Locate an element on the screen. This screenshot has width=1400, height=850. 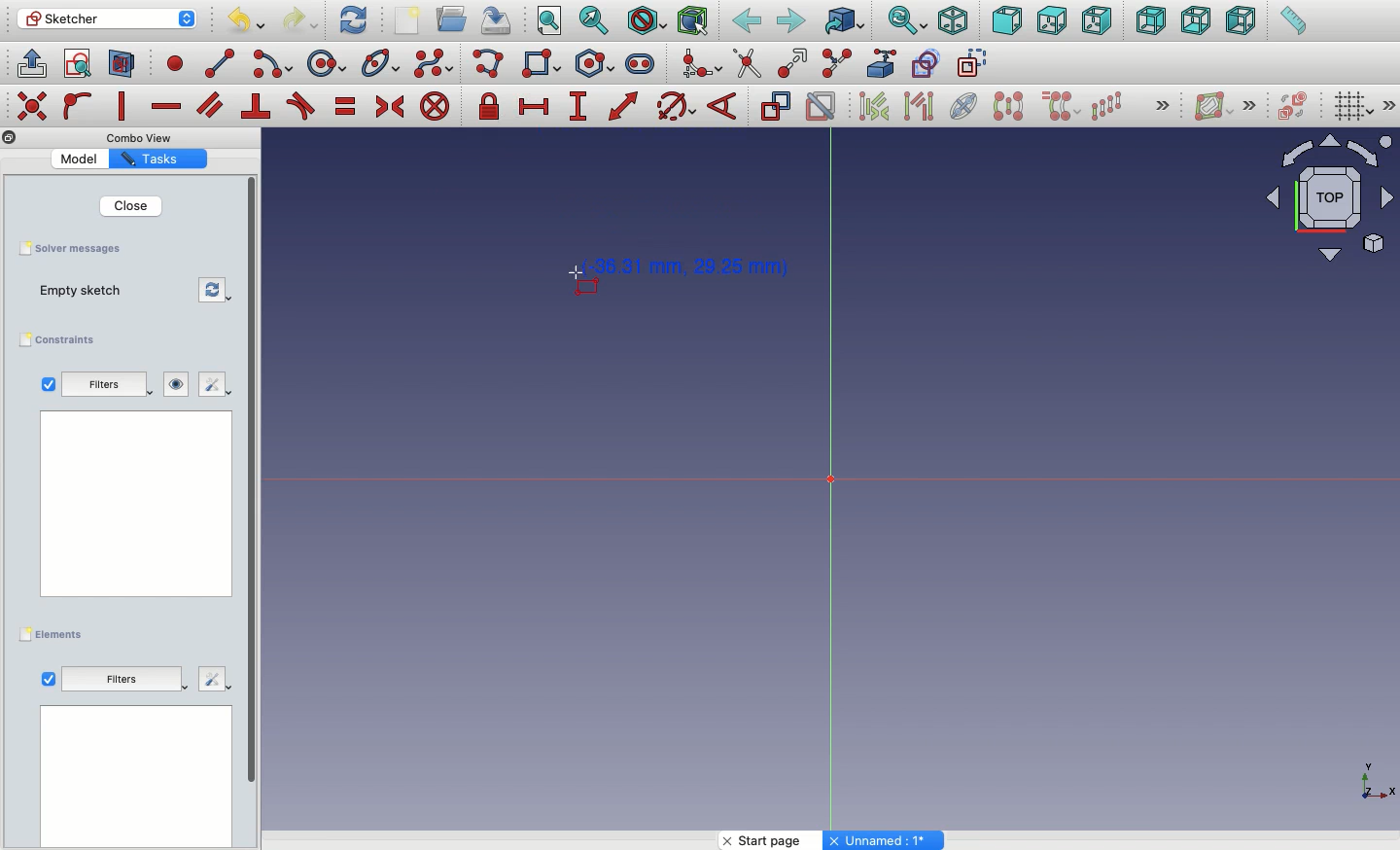
constrain symmetrical  is located at coordinates (389, 110).